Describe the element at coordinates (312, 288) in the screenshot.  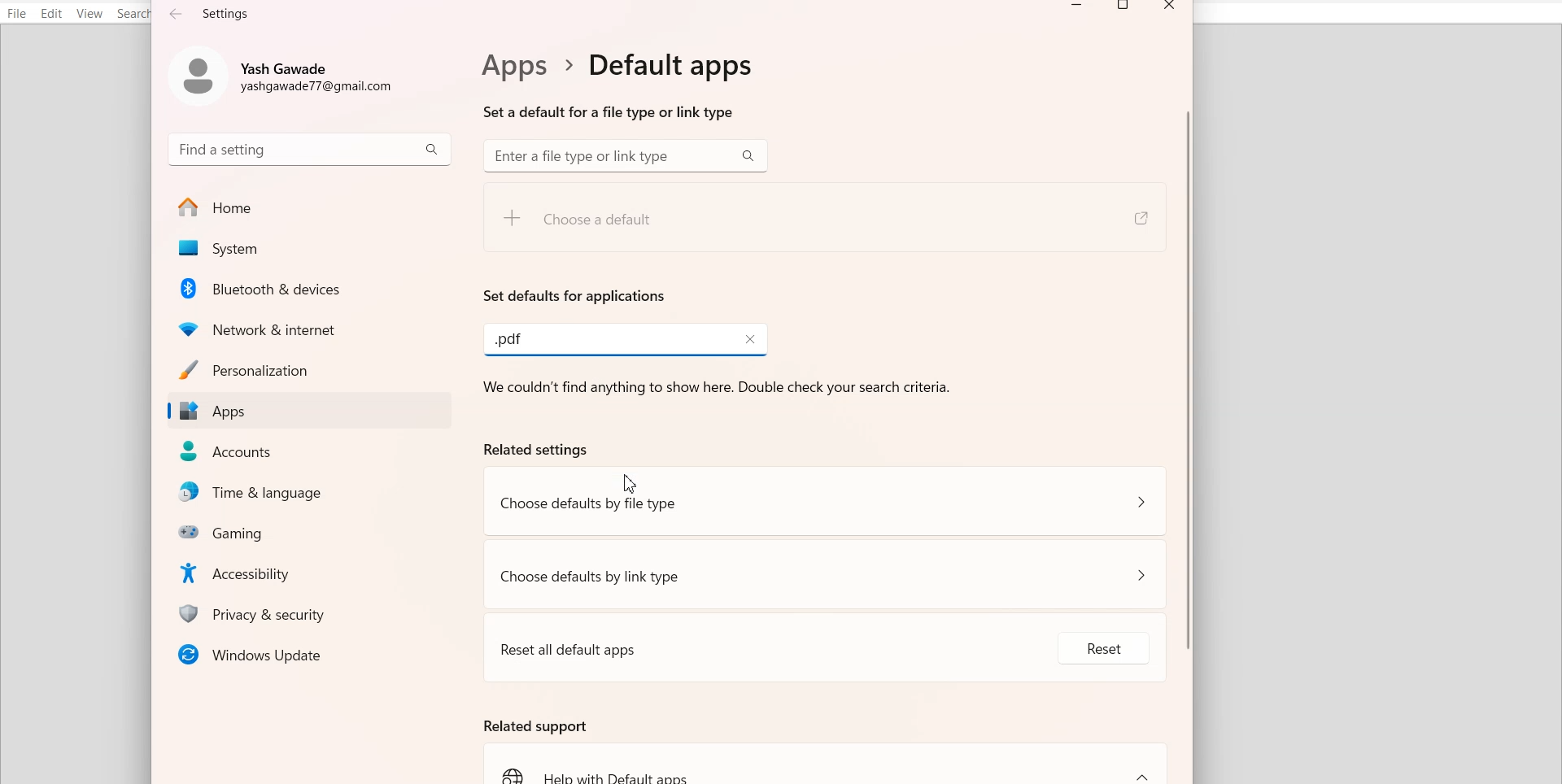
I see `Bluetooth & Devices` at that location.